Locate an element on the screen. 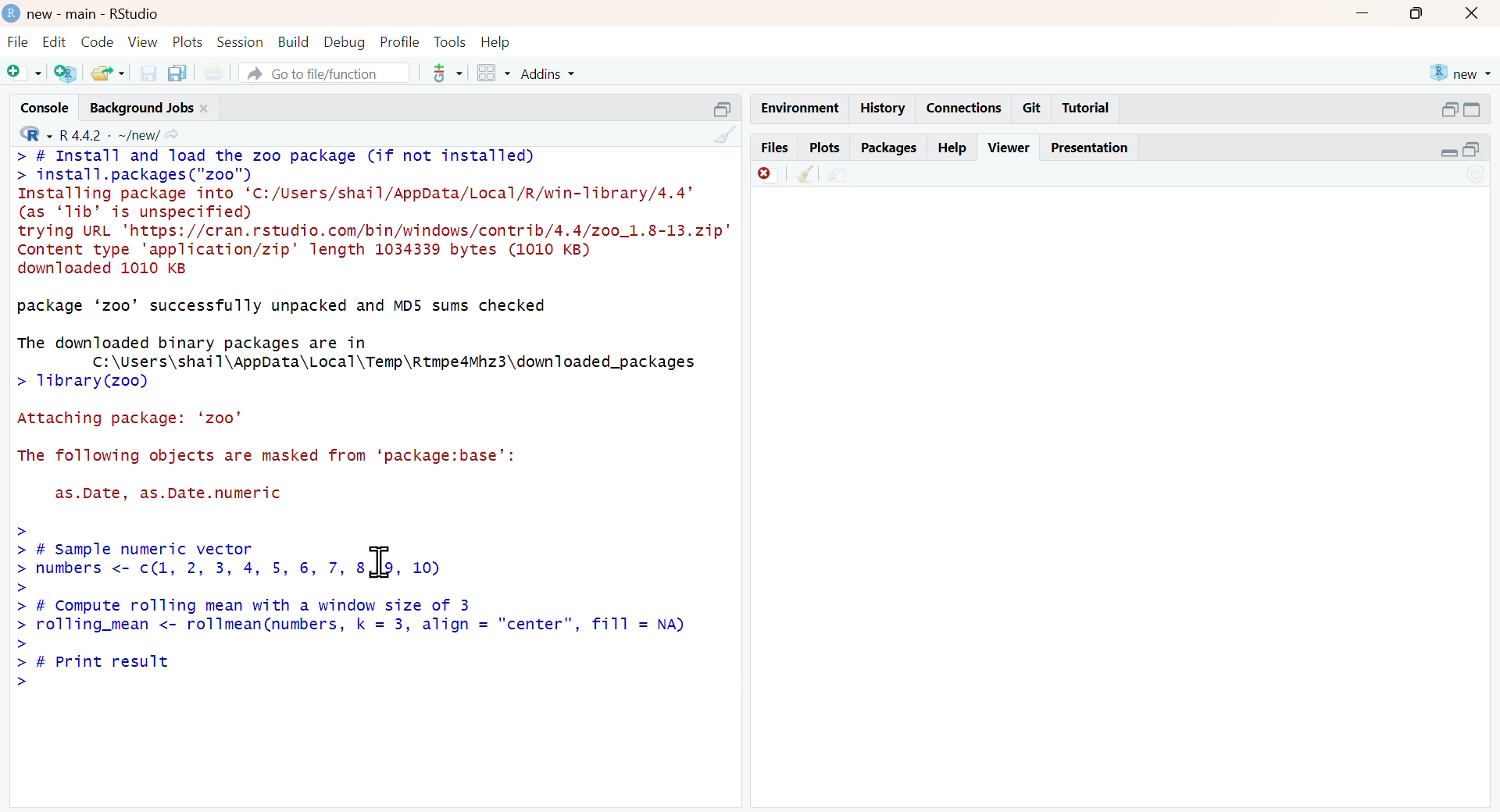 This screenshot has width=1500, height=812. Add file as is located at coordinates (25, 73).